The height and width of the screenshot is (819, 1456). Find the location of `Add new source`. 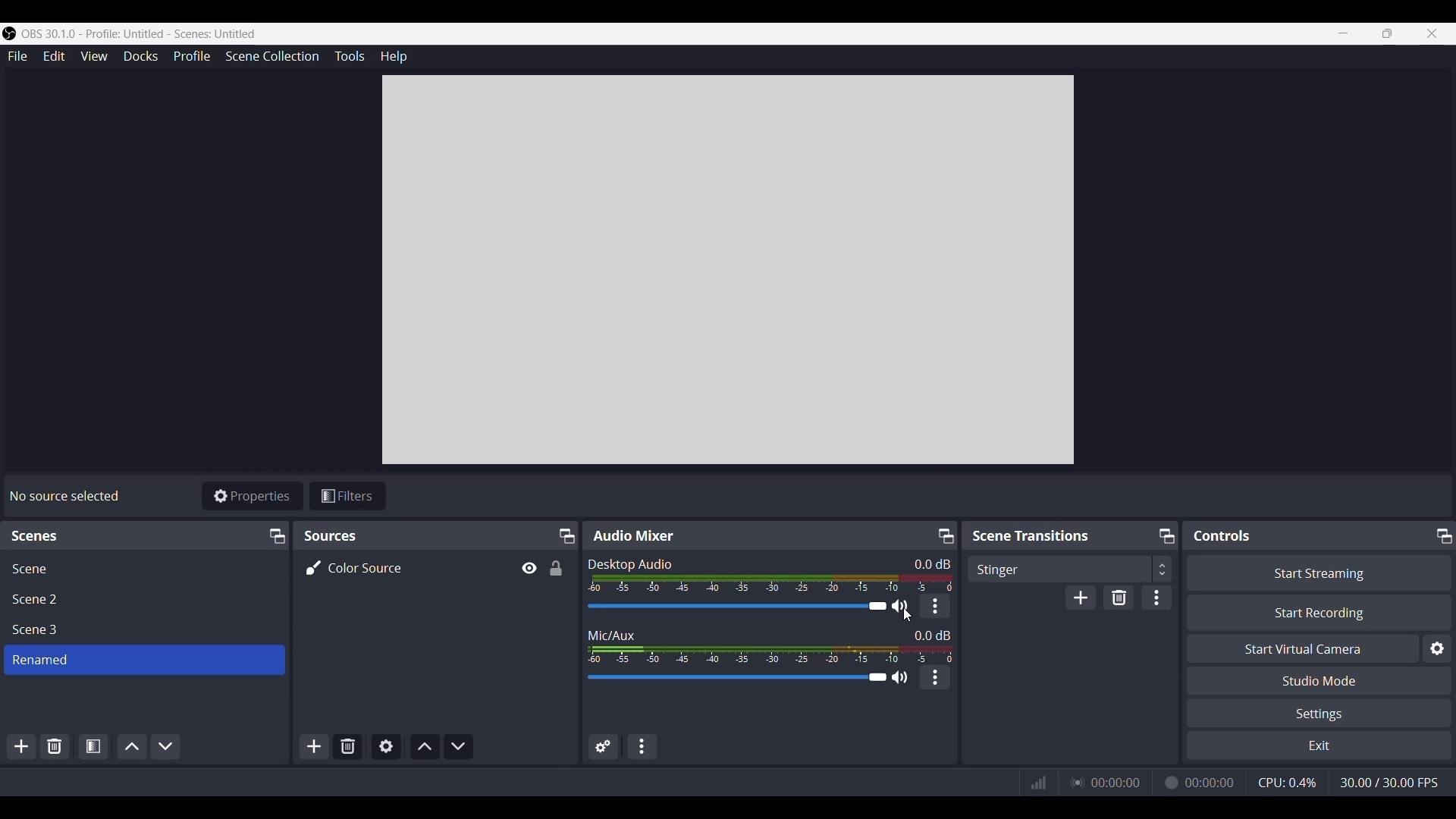

Add new source is located at coordinates (315, 747).